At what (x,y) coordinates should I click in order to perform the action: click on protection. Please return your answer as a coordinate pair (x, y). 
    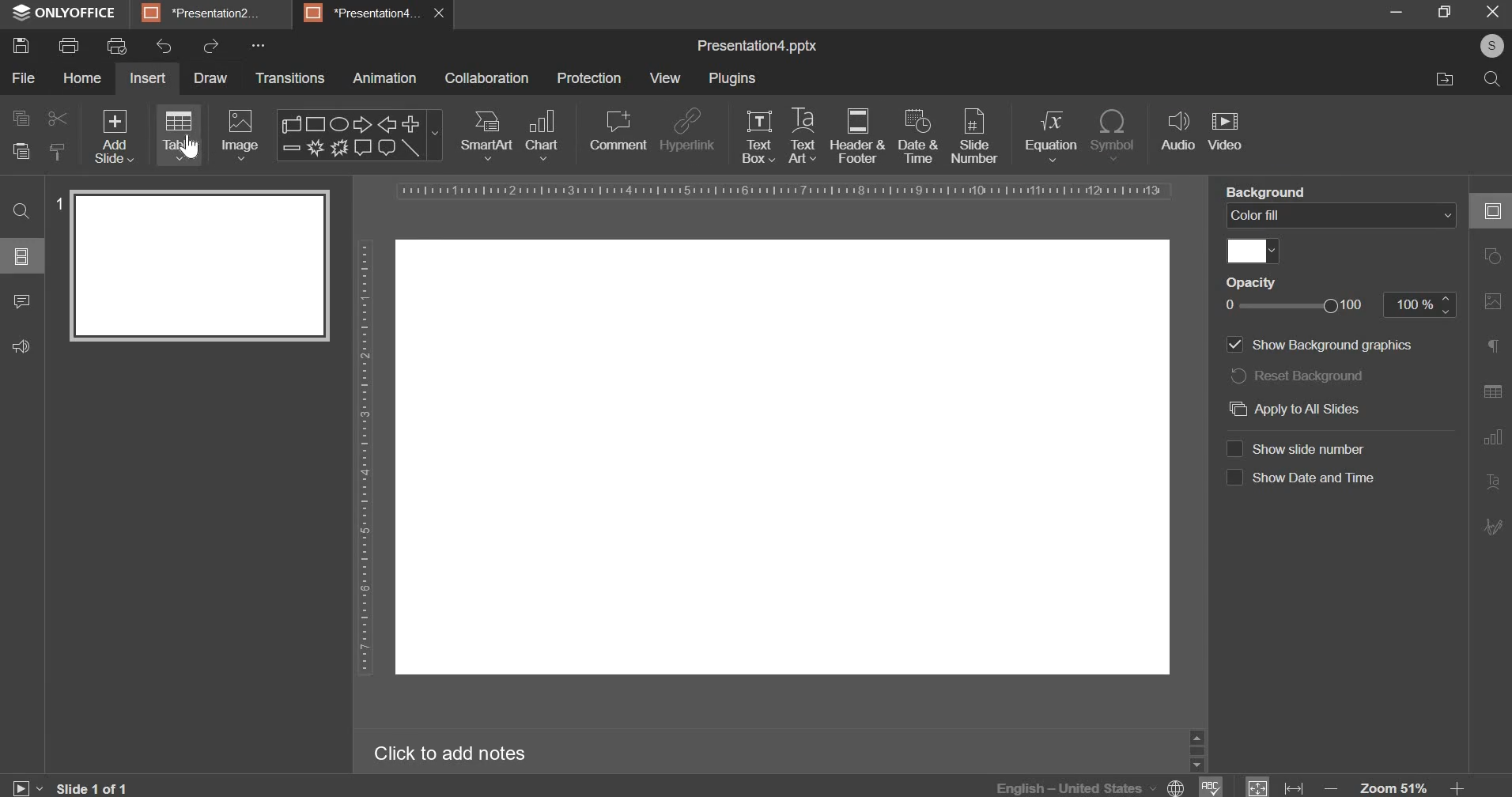
    Looking at the image, I should click on (590, 78).